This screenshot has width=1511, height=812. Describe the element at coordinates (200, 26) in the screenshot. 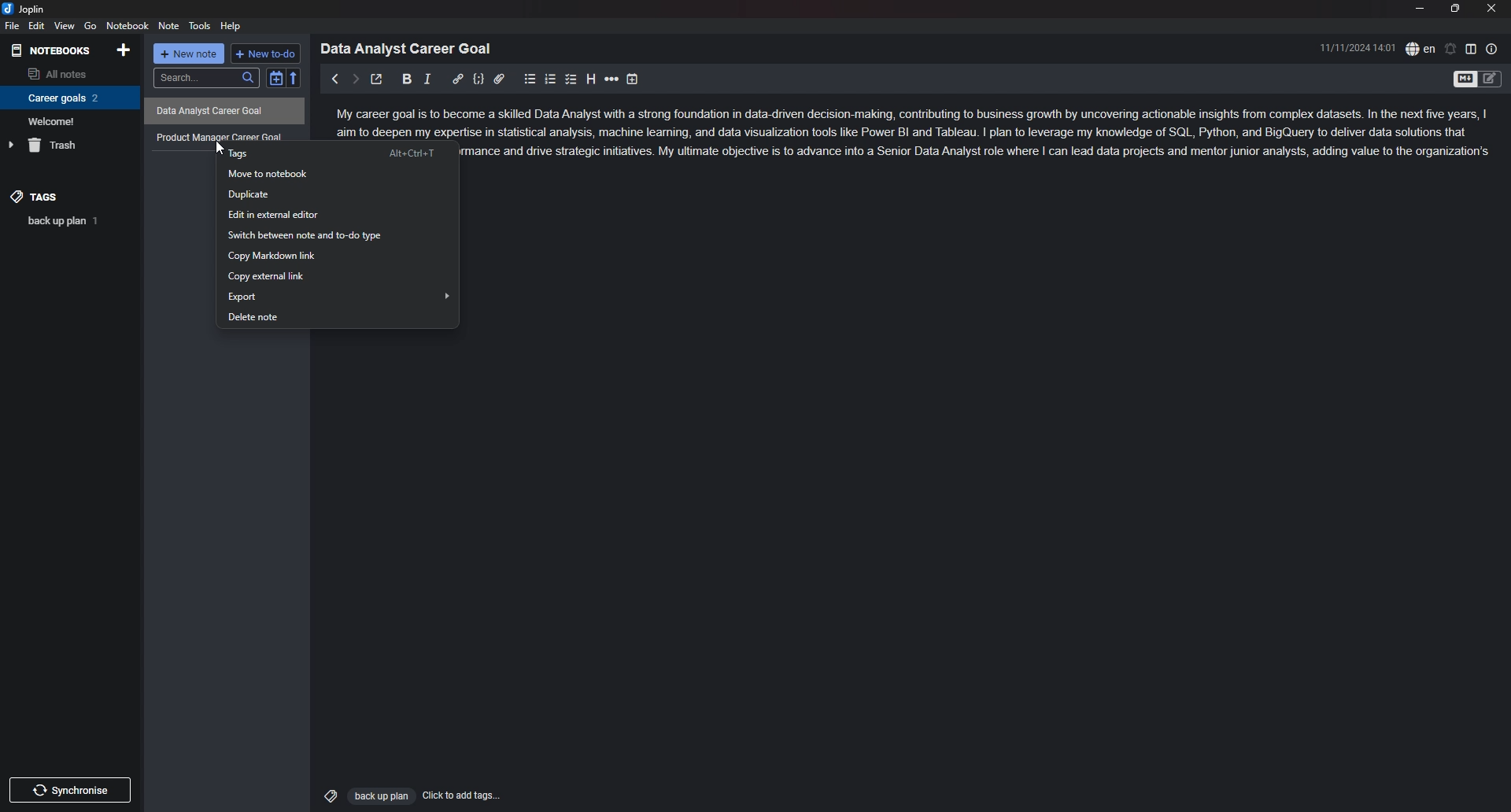

I see `tools` at that location.